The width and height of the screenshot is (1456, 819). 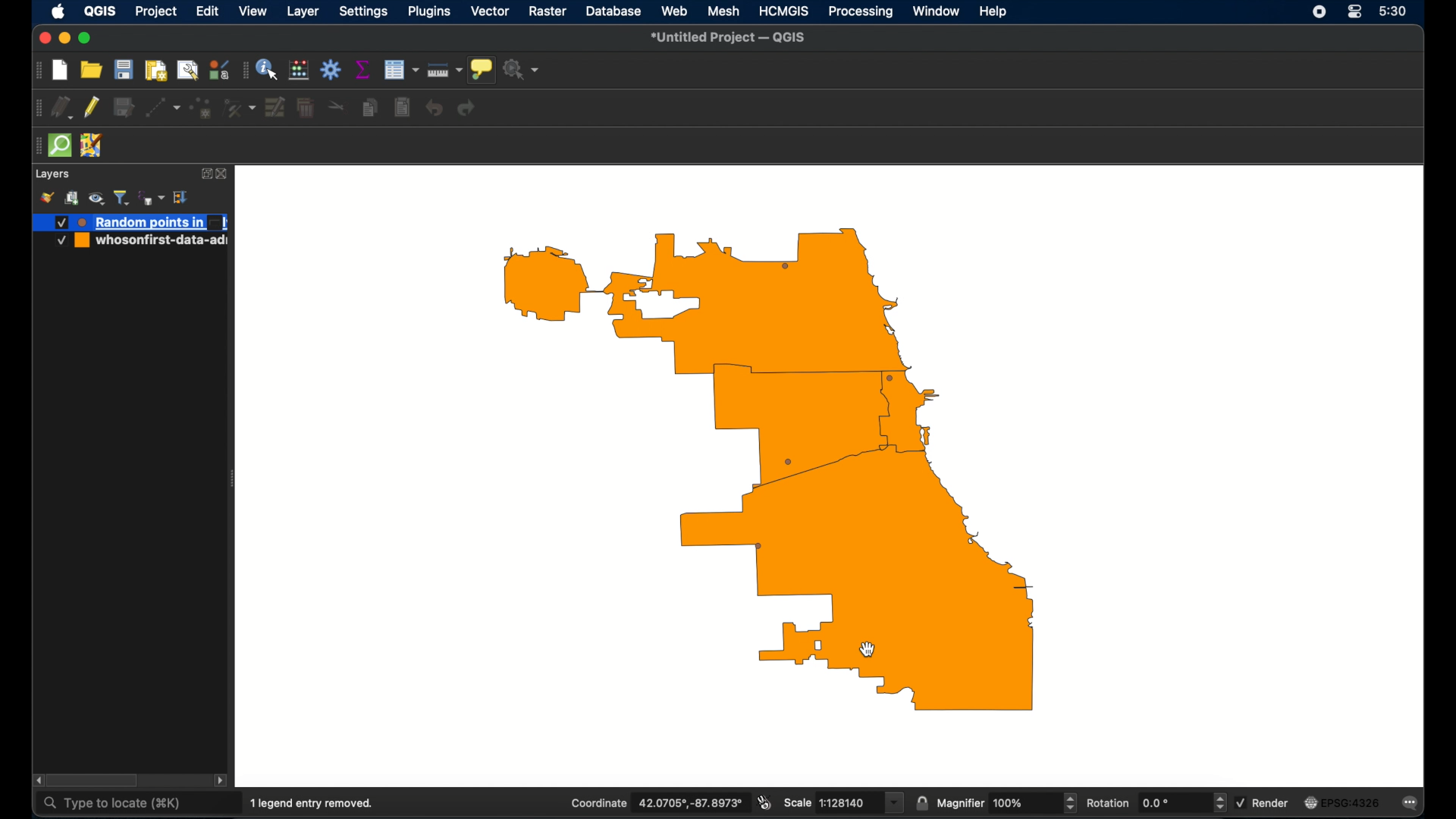 I want to click on messages, so click(x=1412, y=804).